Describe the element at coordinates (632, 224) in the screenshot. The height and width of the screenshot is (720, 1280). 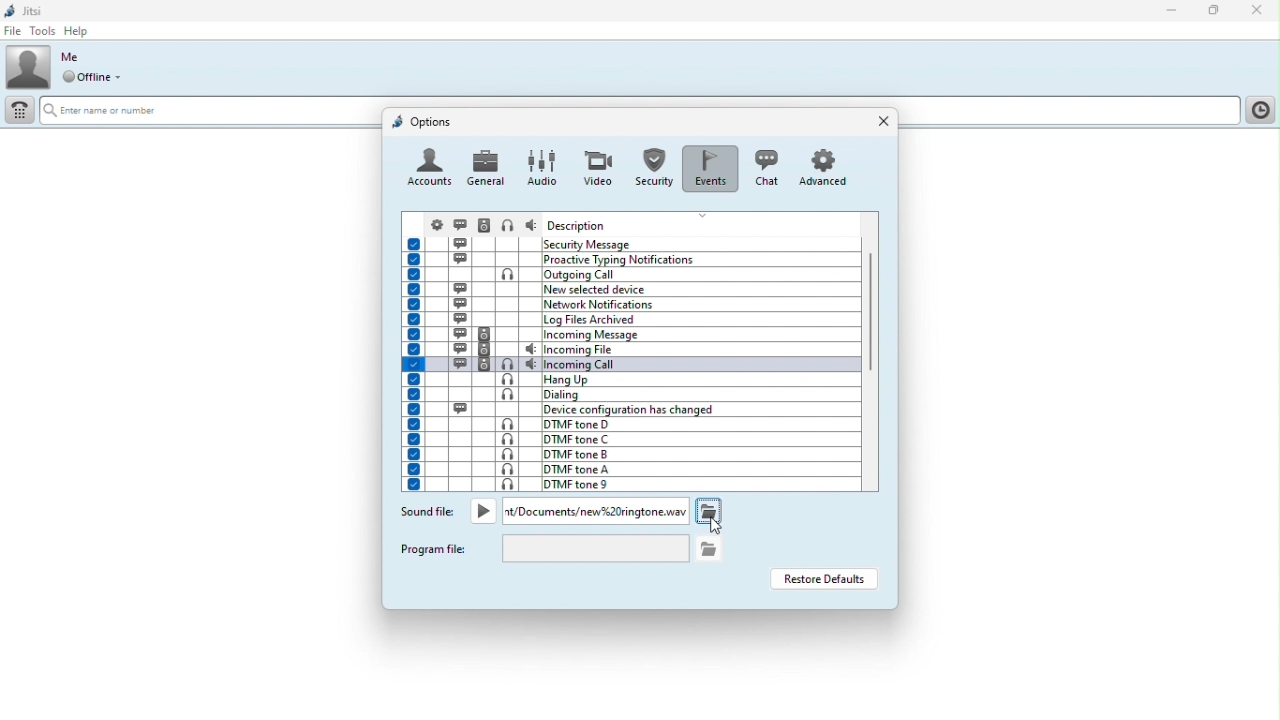
I see `Headers` at that location.